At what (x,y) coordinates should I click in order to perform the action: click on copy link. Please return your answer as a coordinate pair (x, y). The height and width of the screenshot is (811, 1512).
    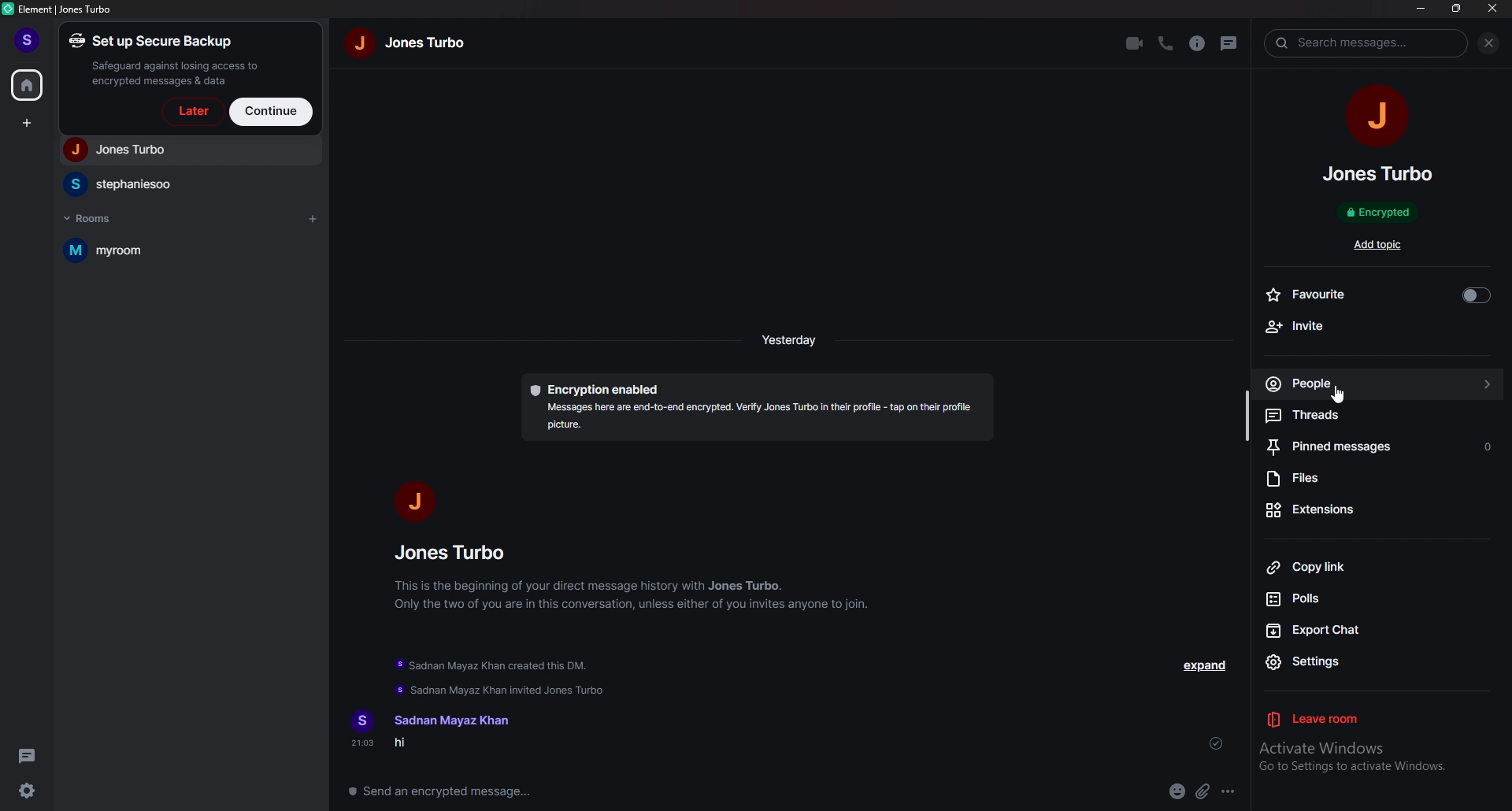
    Looking at the image, I should click on (1380, 566).